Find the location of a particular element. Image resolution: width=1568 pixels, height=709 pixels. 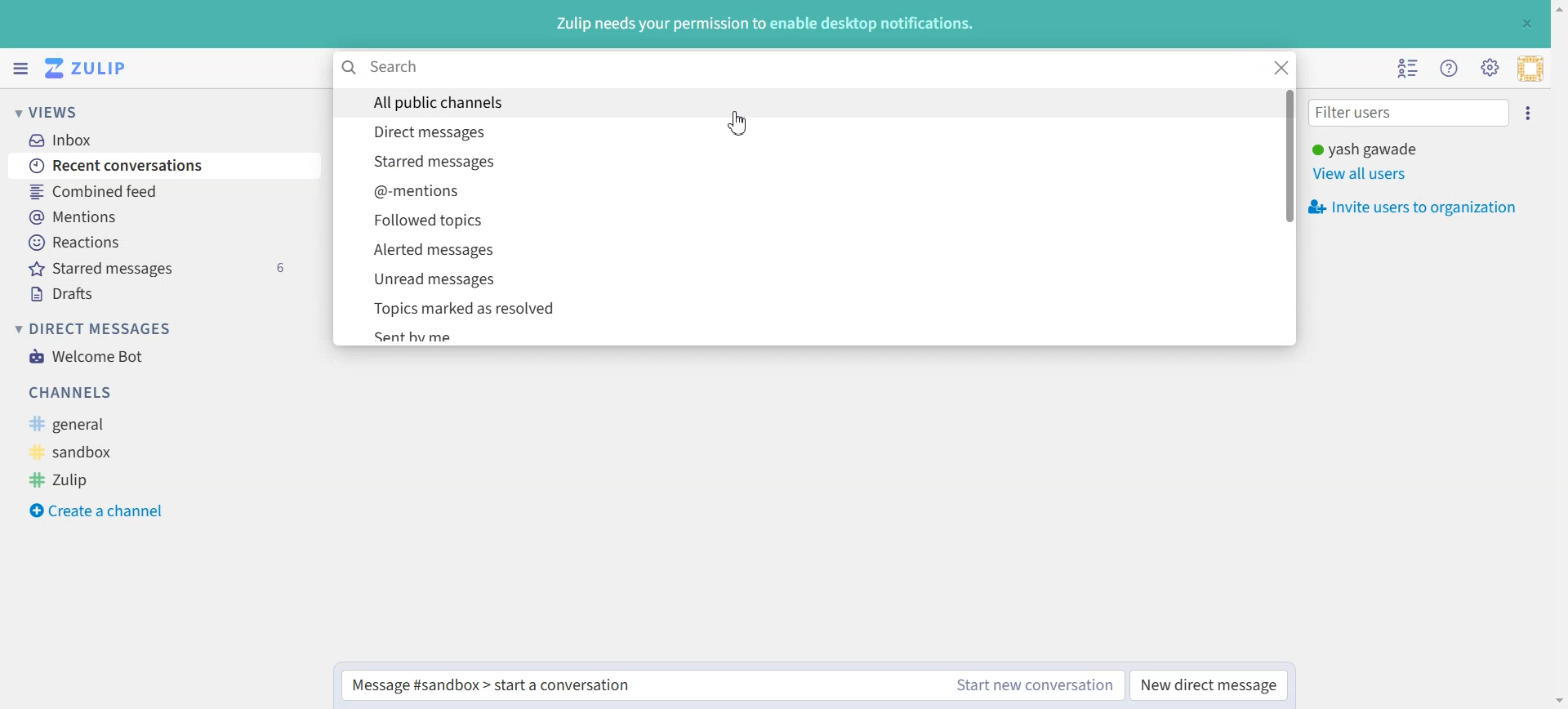

Mentions is located at coordinates (162, 216).